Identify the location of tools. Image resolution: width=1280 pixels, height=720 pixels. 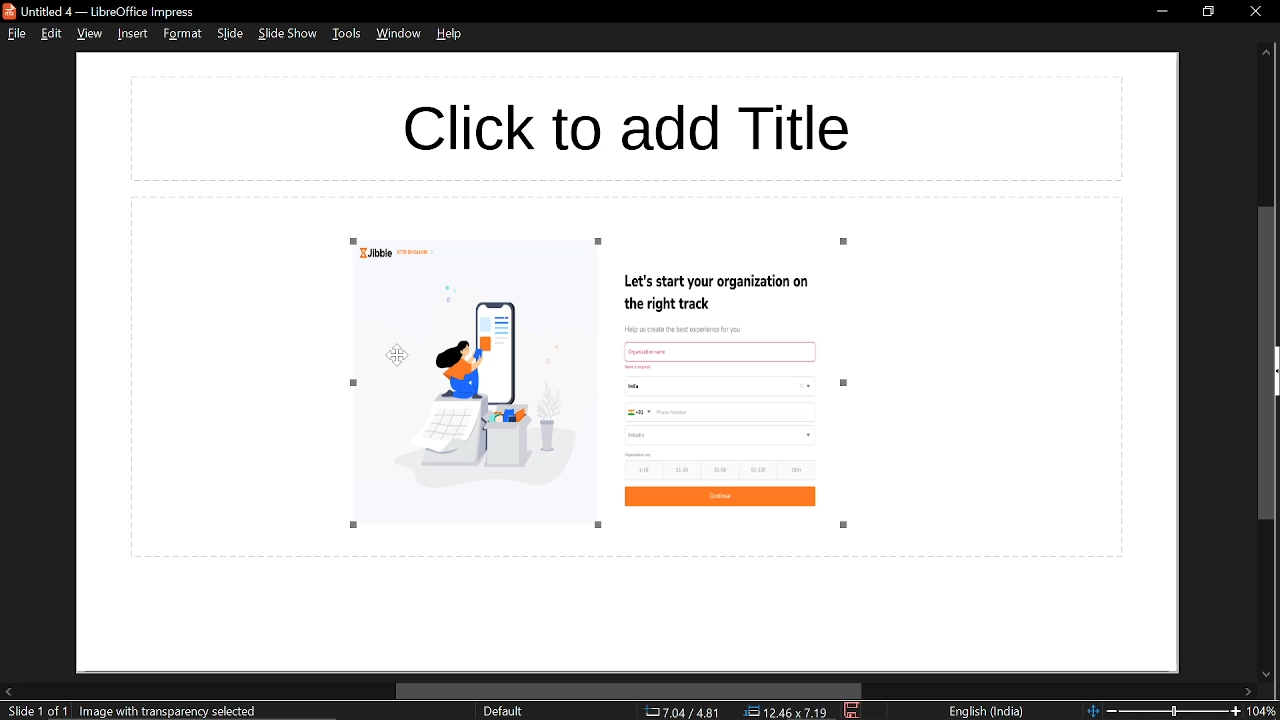
(345, 37).